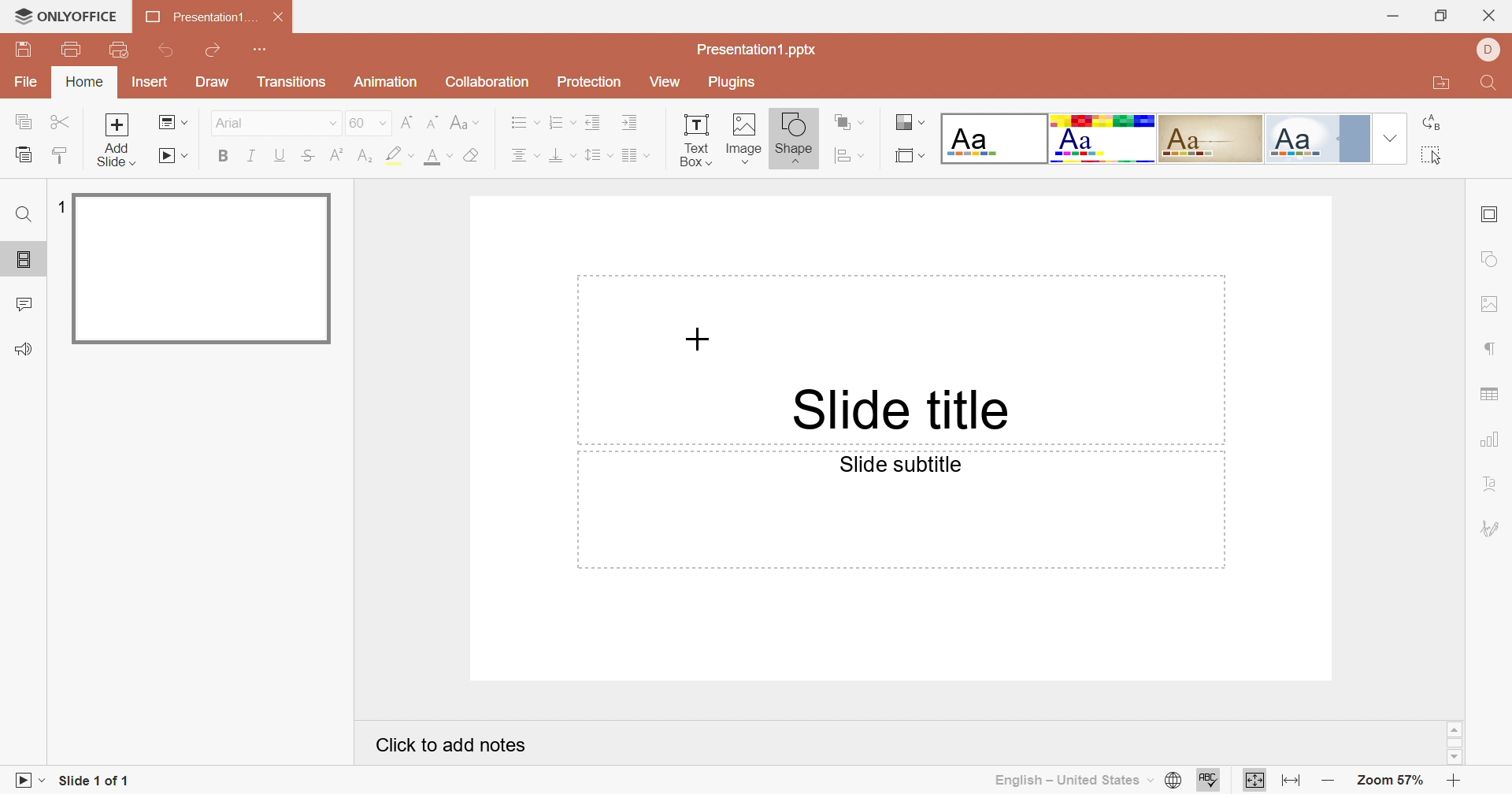 This screenshot has width=1512, height=794. Describe the element at coordinates (454, 746) in the screenshot. I see `Click to add notes` at that location.